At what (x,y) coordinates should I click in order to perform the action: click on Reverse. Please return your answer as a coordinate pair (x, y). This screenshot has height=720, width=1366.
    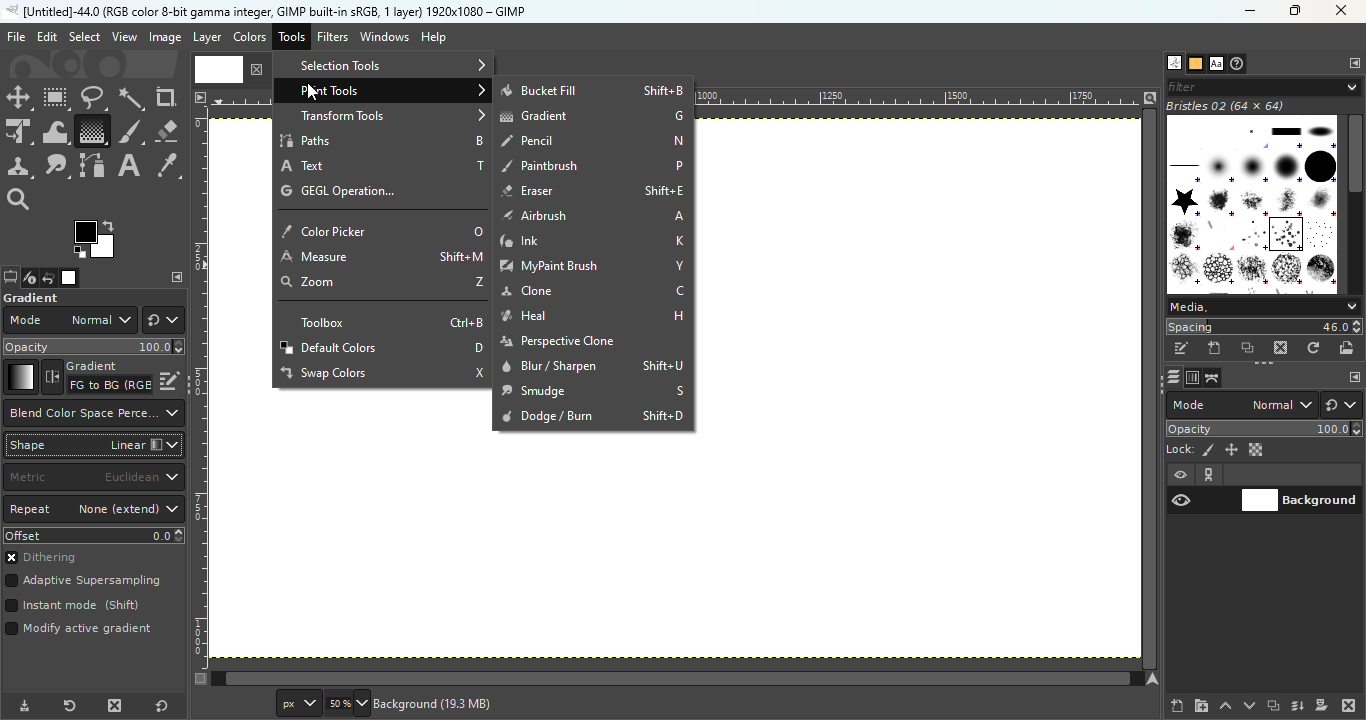
    Looking at the image, I should click on (97, 377).